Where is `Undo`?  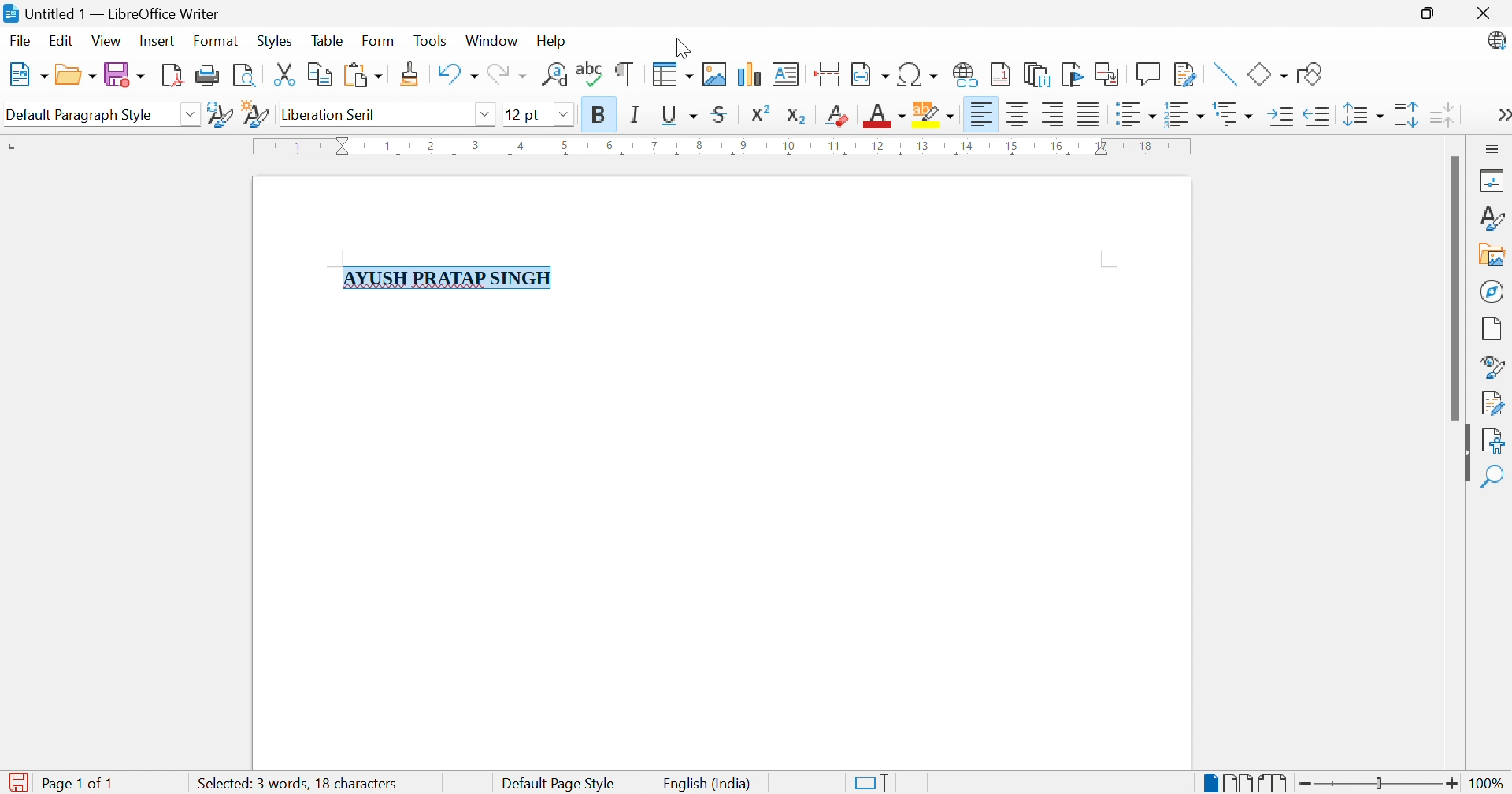
Undo is located at coordinates (457, 74).